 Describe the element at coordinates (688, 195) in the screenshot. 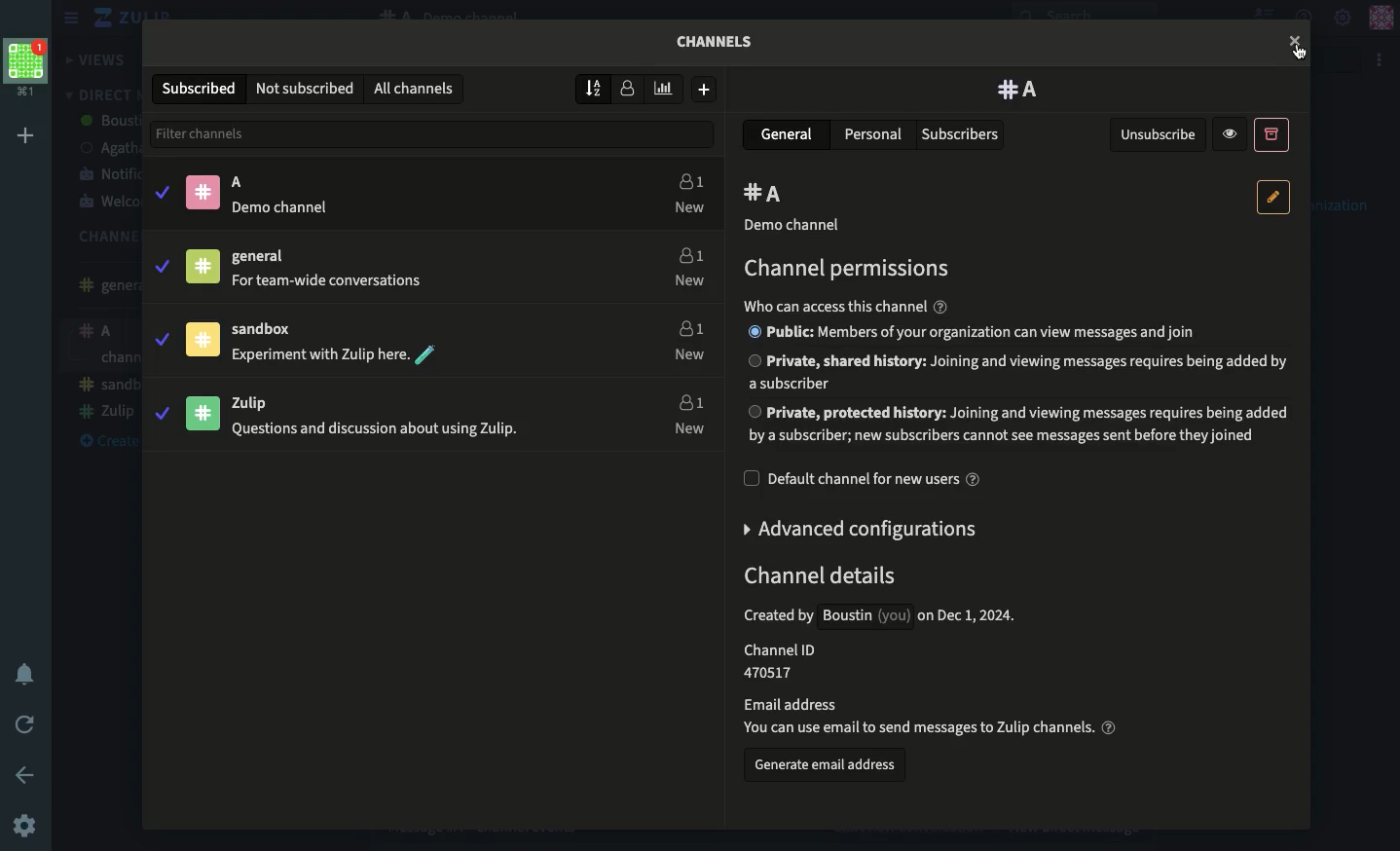

I see `Users` at that location.